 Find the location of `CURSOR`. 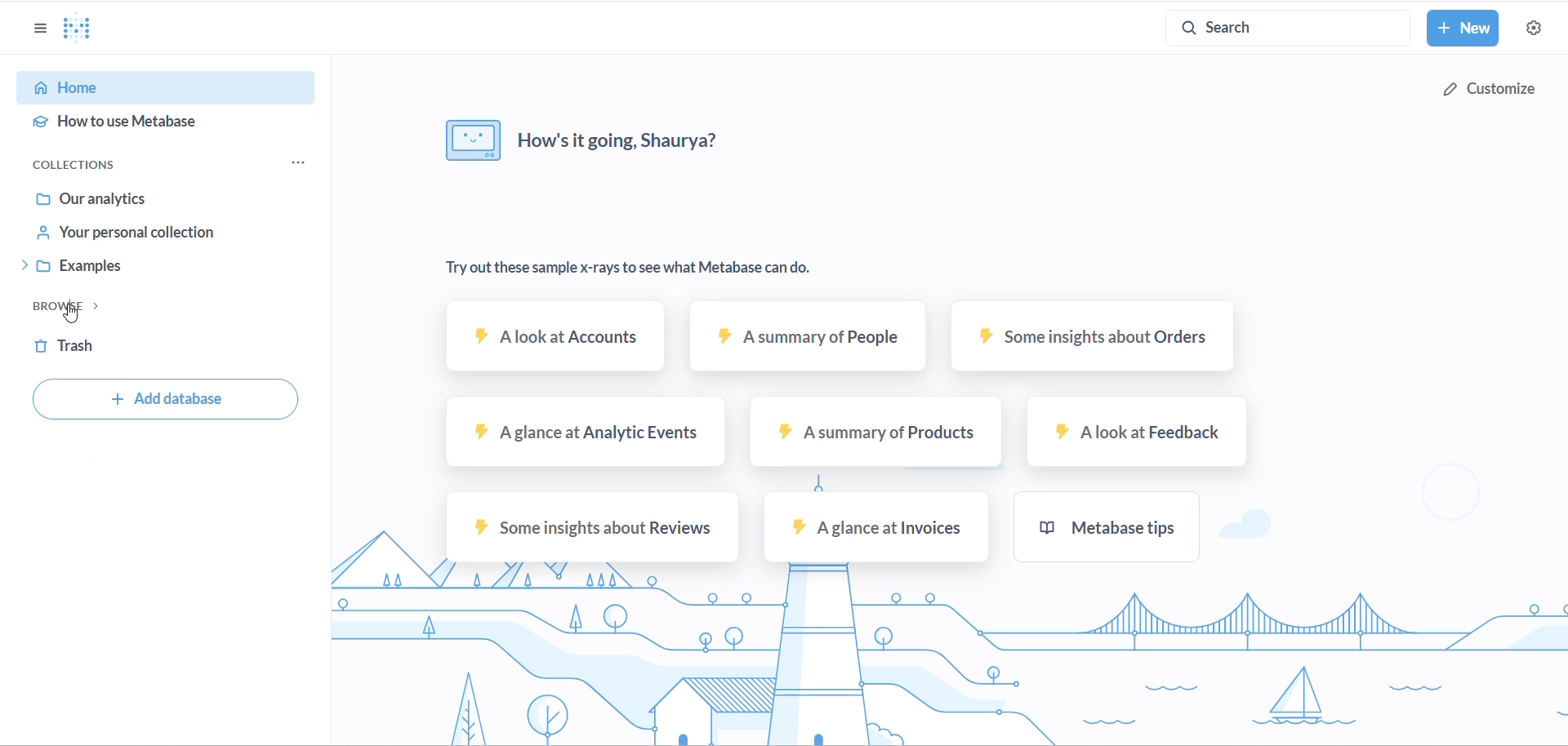

CURSOR is located at coordinates (76, 315).